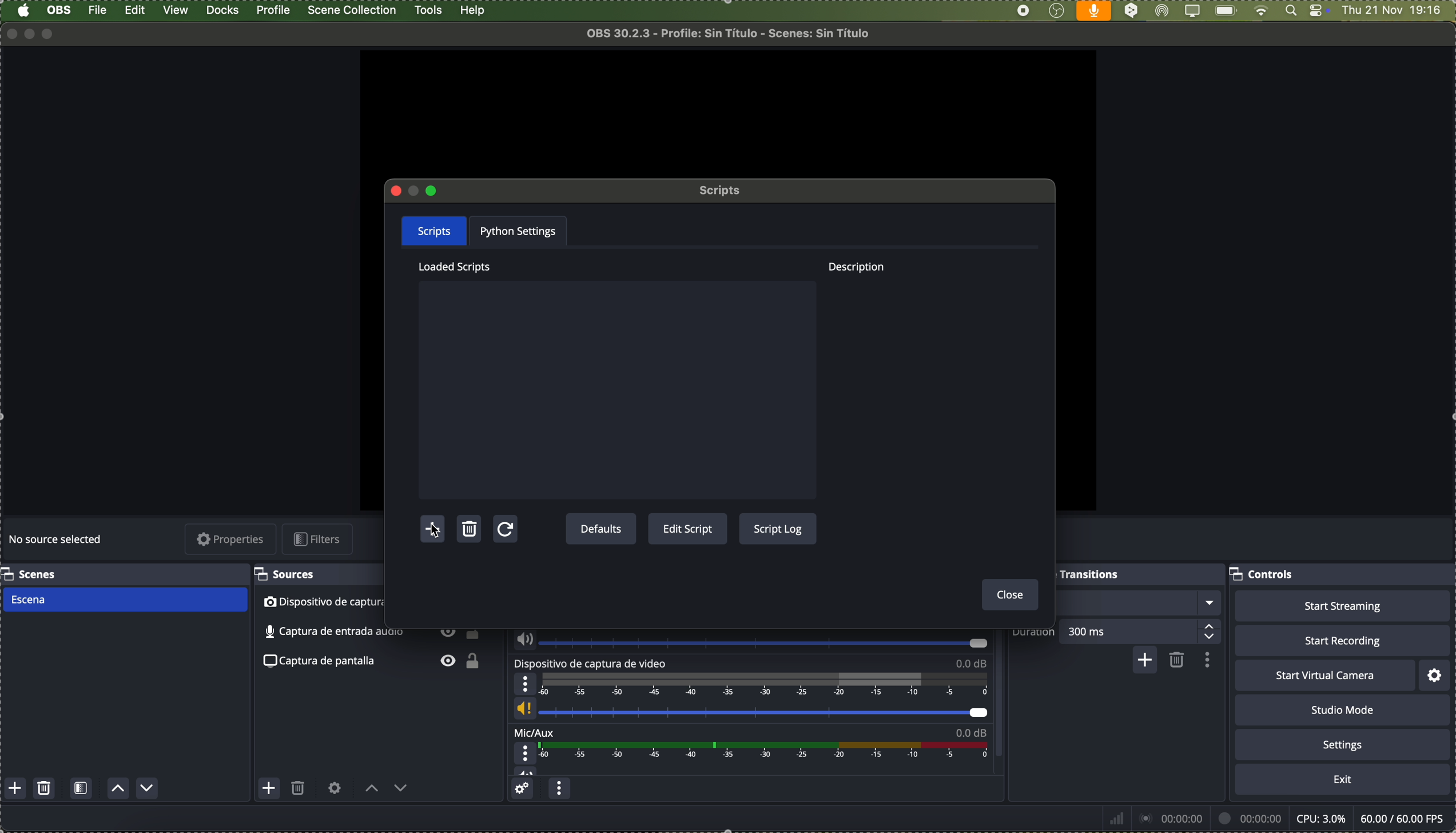 The height and width of the screenshot is (833, 1456). What do you see at coordinates (1343, 780) in the screenshot?
I see `exit` at bounding box center [1343, 780].